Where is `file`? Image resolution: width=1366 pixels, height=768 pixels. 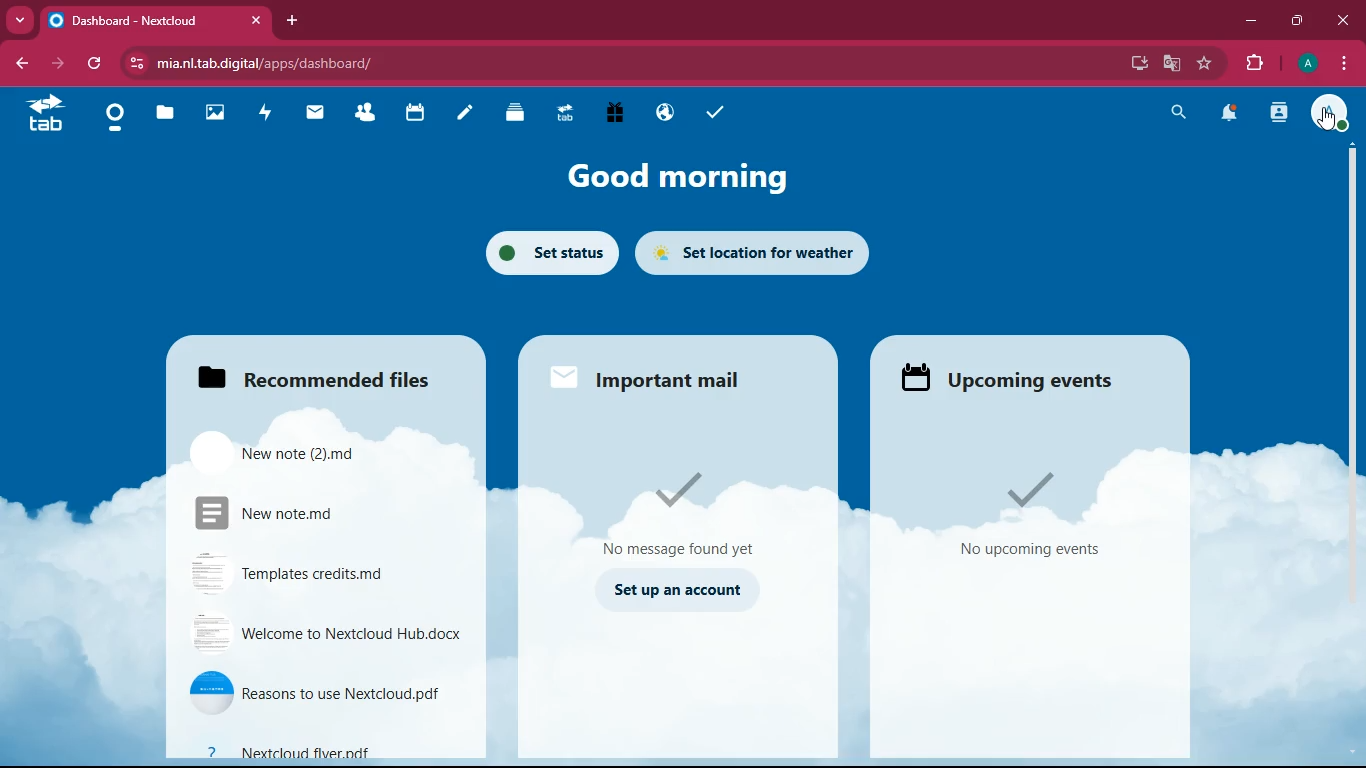 file is located at coordinates (297, 453).